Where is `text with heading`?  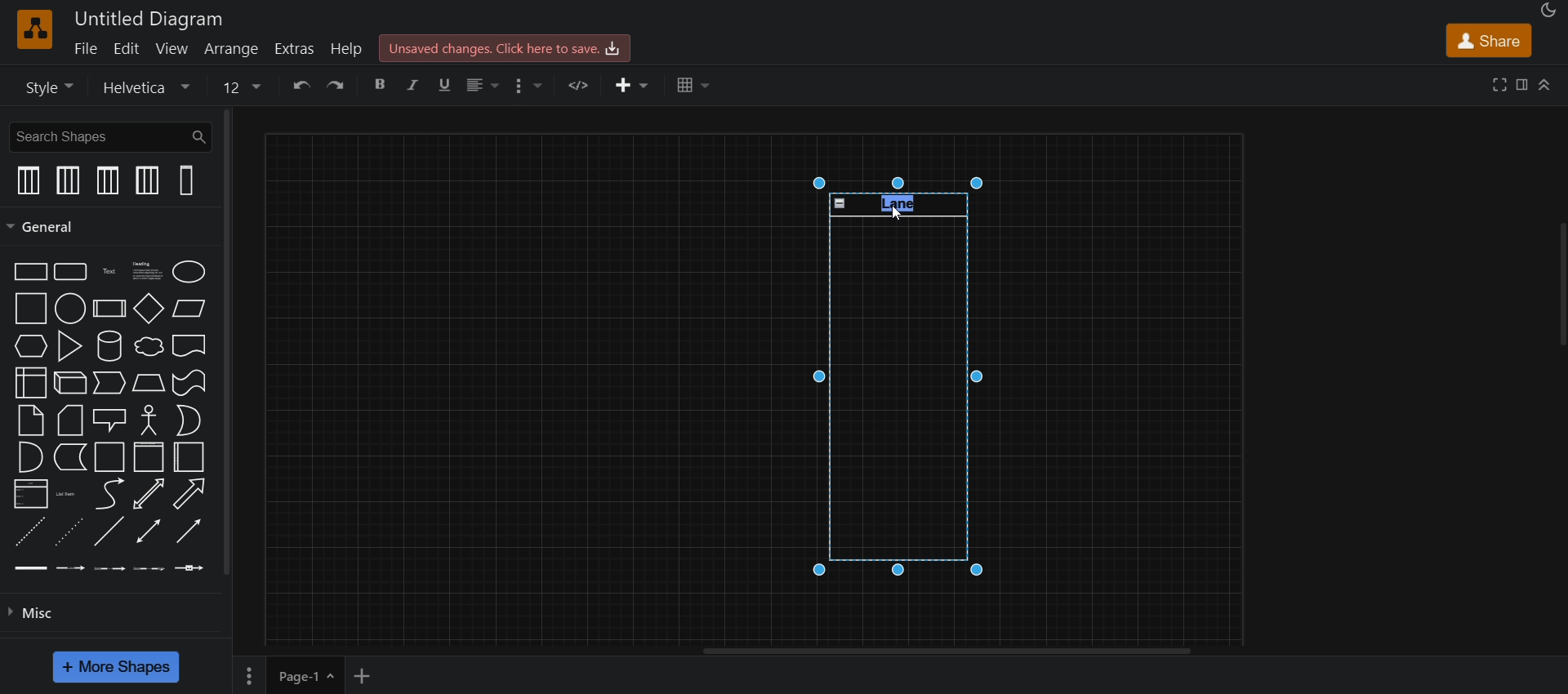
text with heading is located at coordinates (145, 270).